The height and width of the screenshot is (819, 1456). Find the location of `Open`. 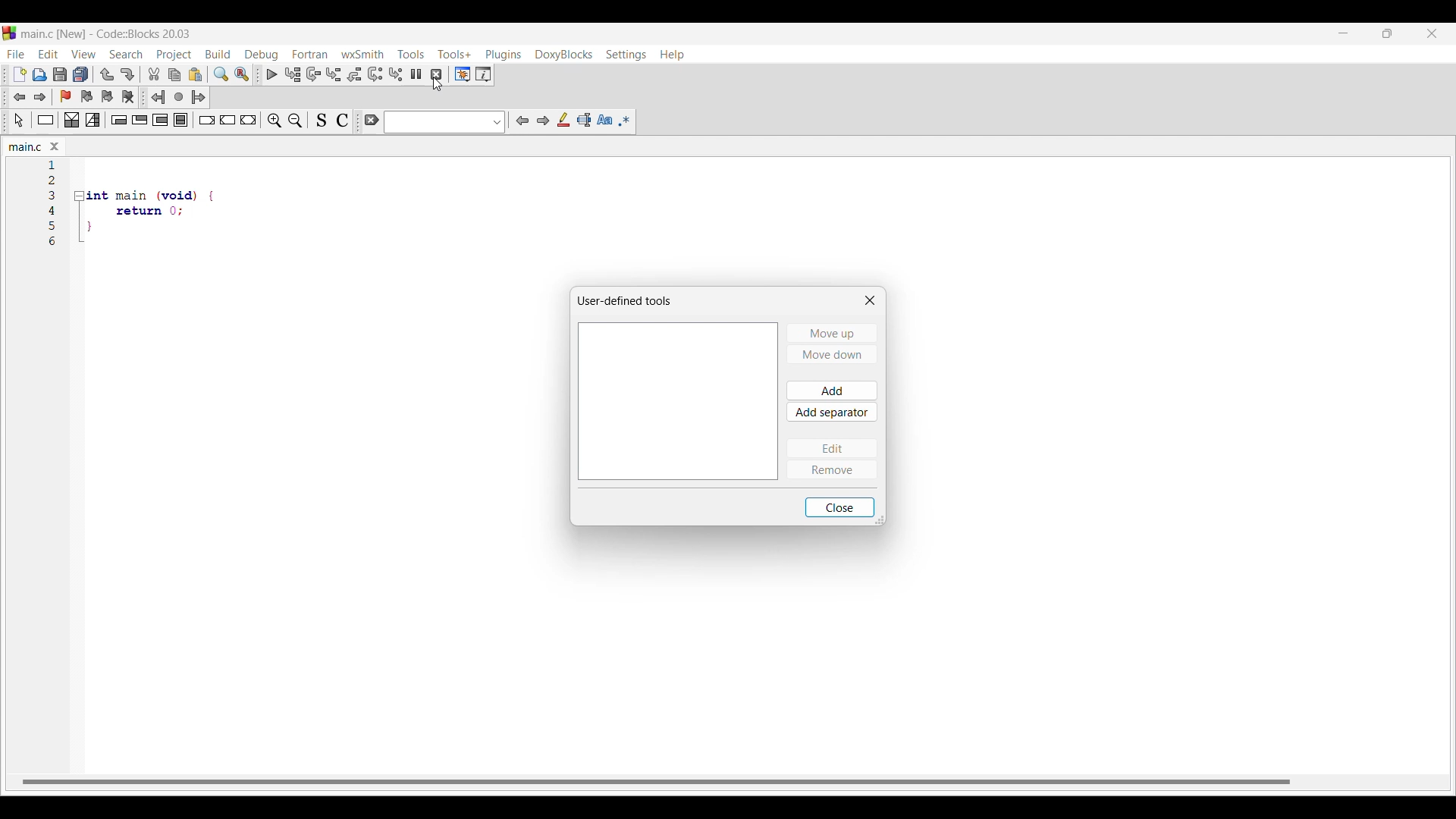

Open is located at coordinates (39, 75).